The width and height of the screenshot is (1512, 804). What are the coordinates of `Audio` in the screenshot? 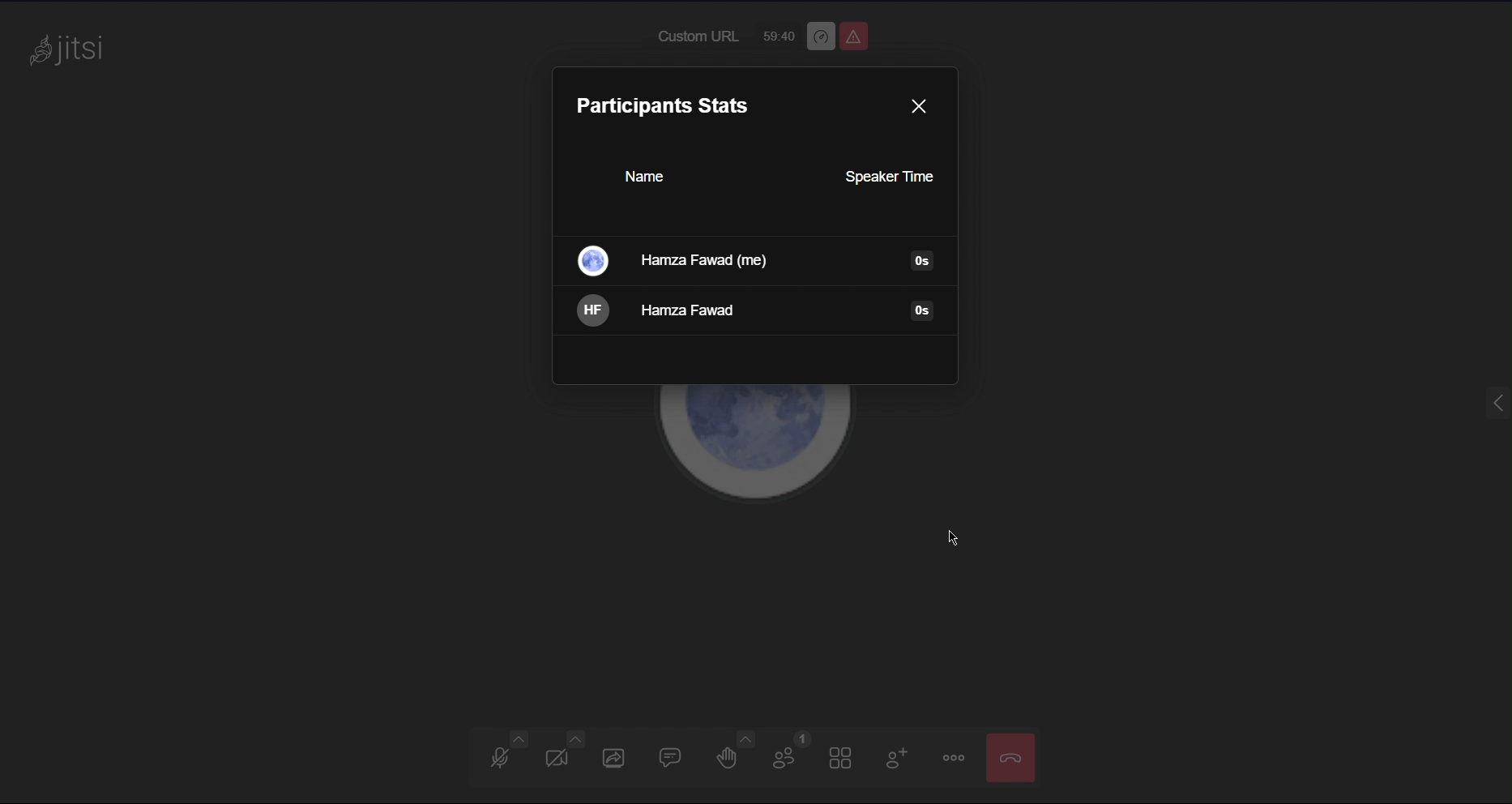 It's located at (498, 756).